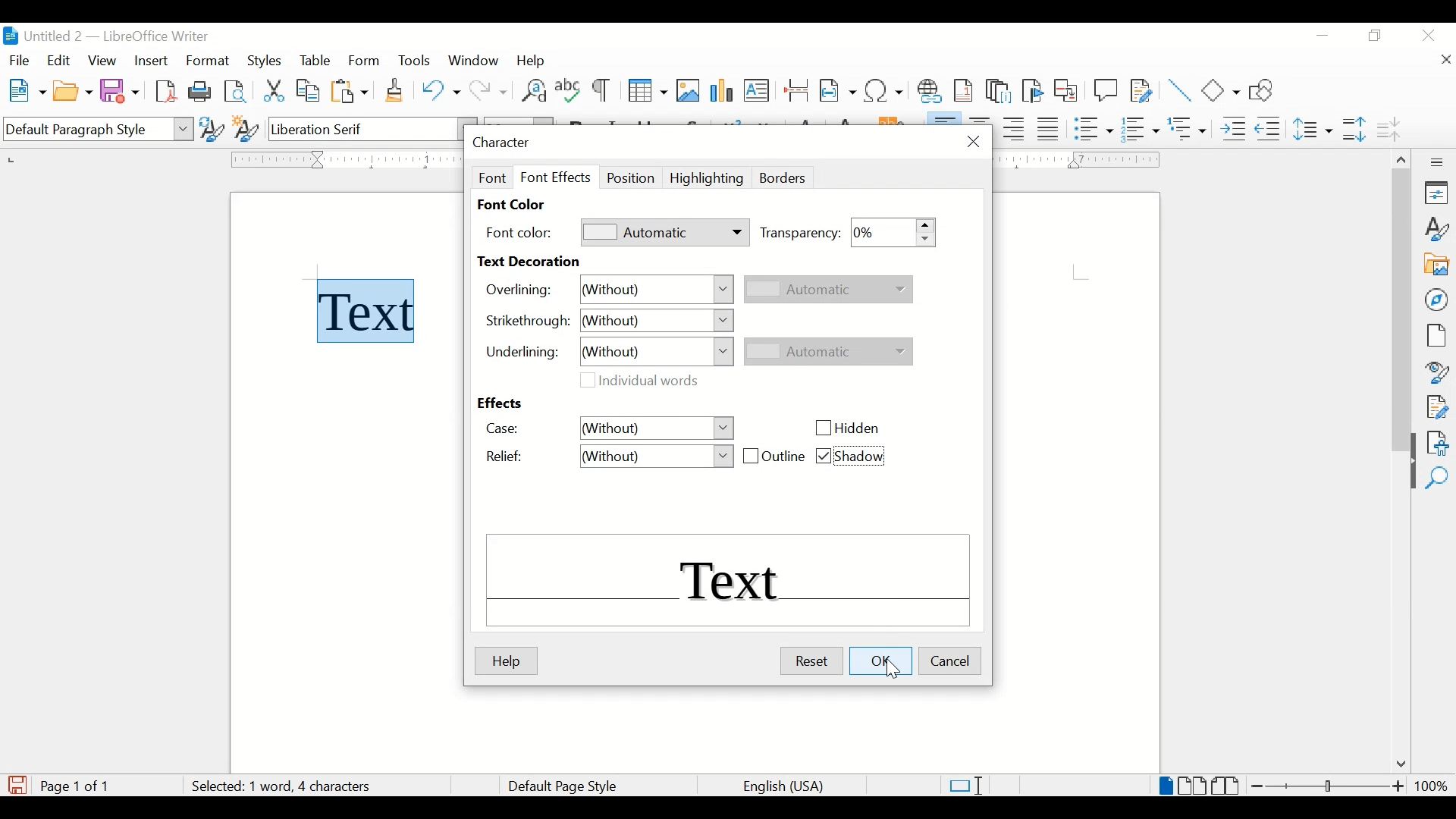 This screenshot has height=819, width=1456. Describe the element at coordinates (1140, 128) in the screenshot. I see `toggle ordered list` at that location.